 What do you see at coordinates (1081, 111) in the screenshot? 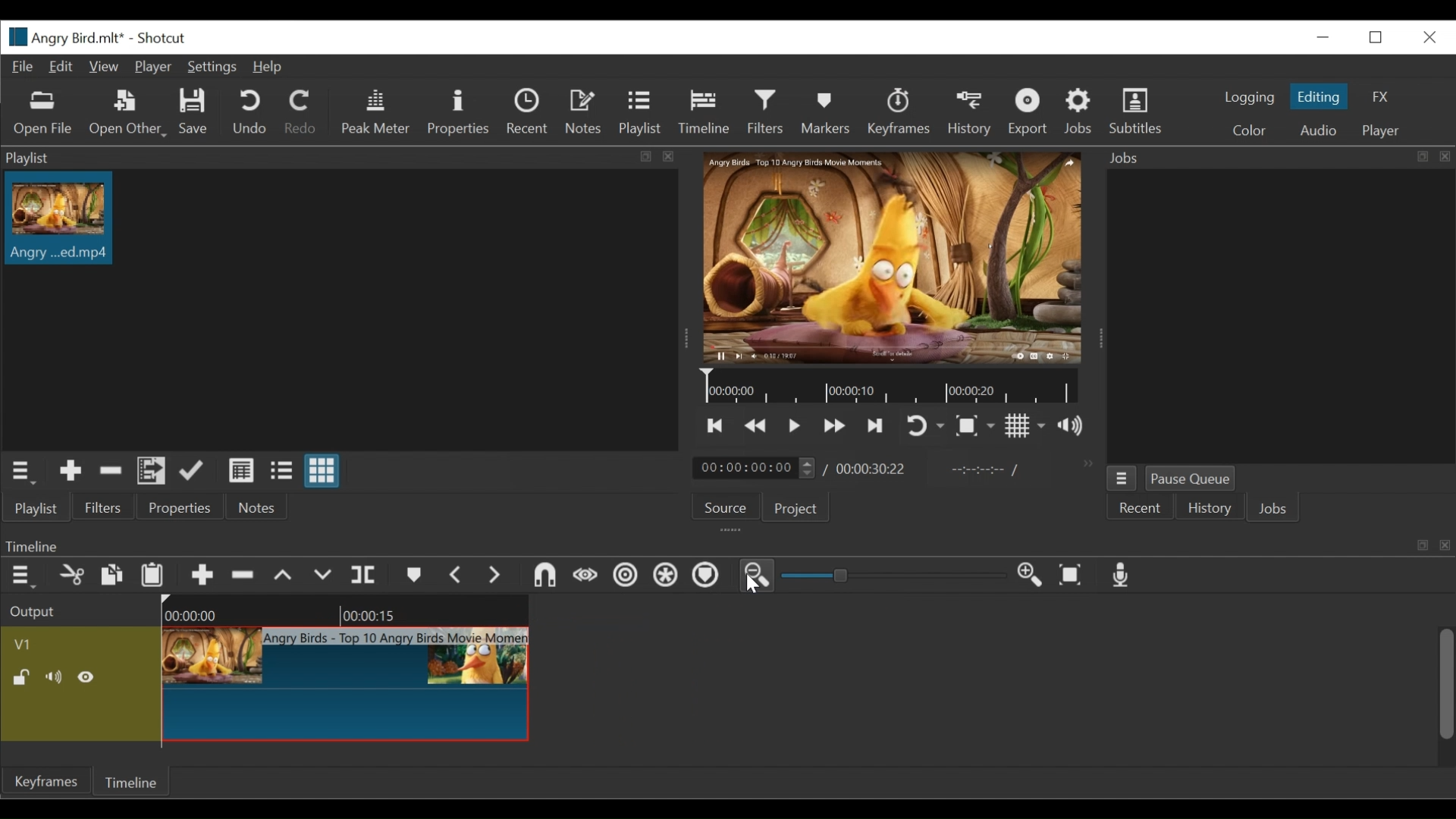
I see `Jobs` at bounding box center [1081, 111].